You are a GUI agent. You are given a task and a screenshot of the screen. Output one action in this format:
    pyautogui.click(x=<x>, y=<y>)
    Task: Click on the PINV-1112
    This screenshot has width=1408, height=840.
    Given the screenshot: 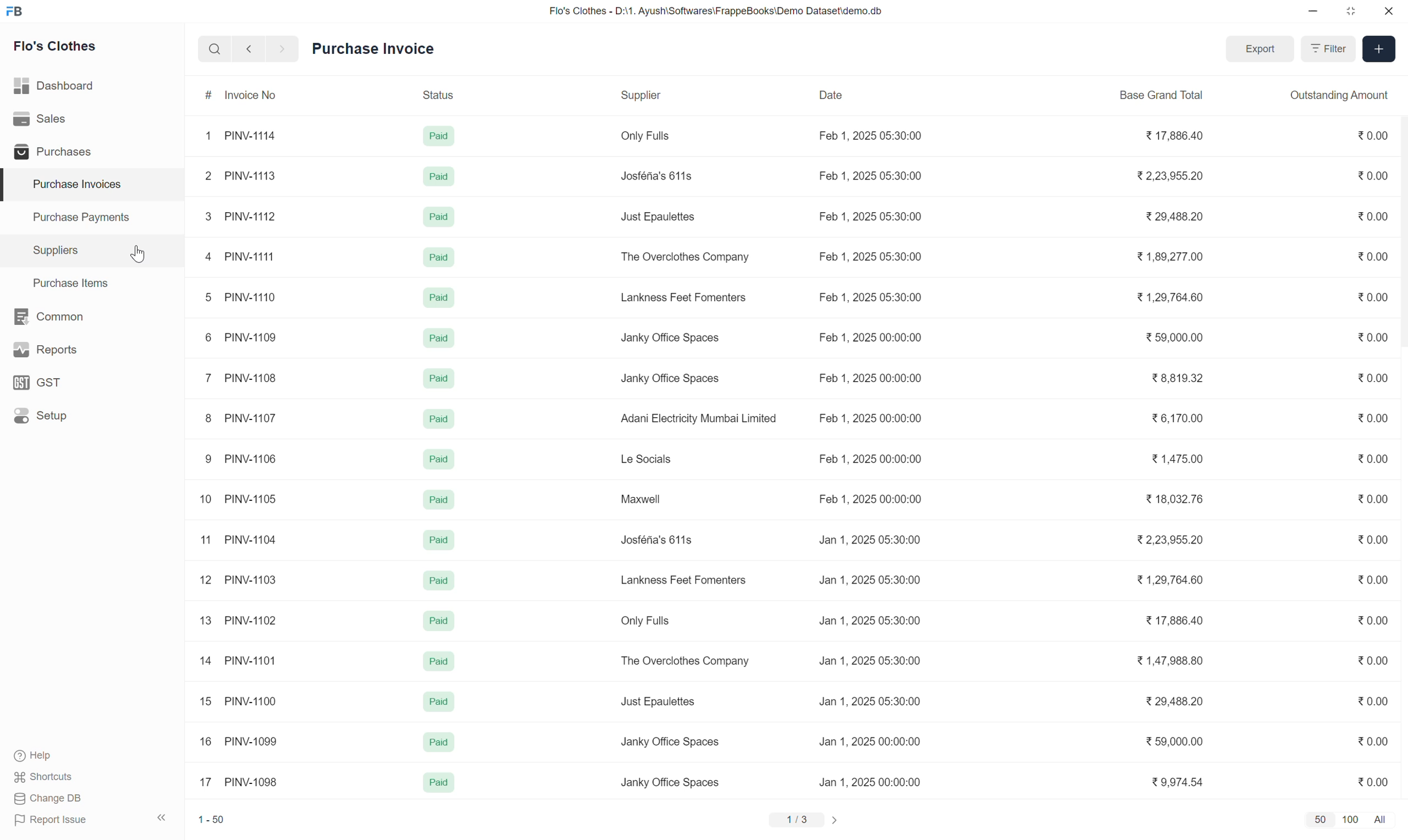 What is the action you would take?
    pyautogui.click(x=252, y=217)
    